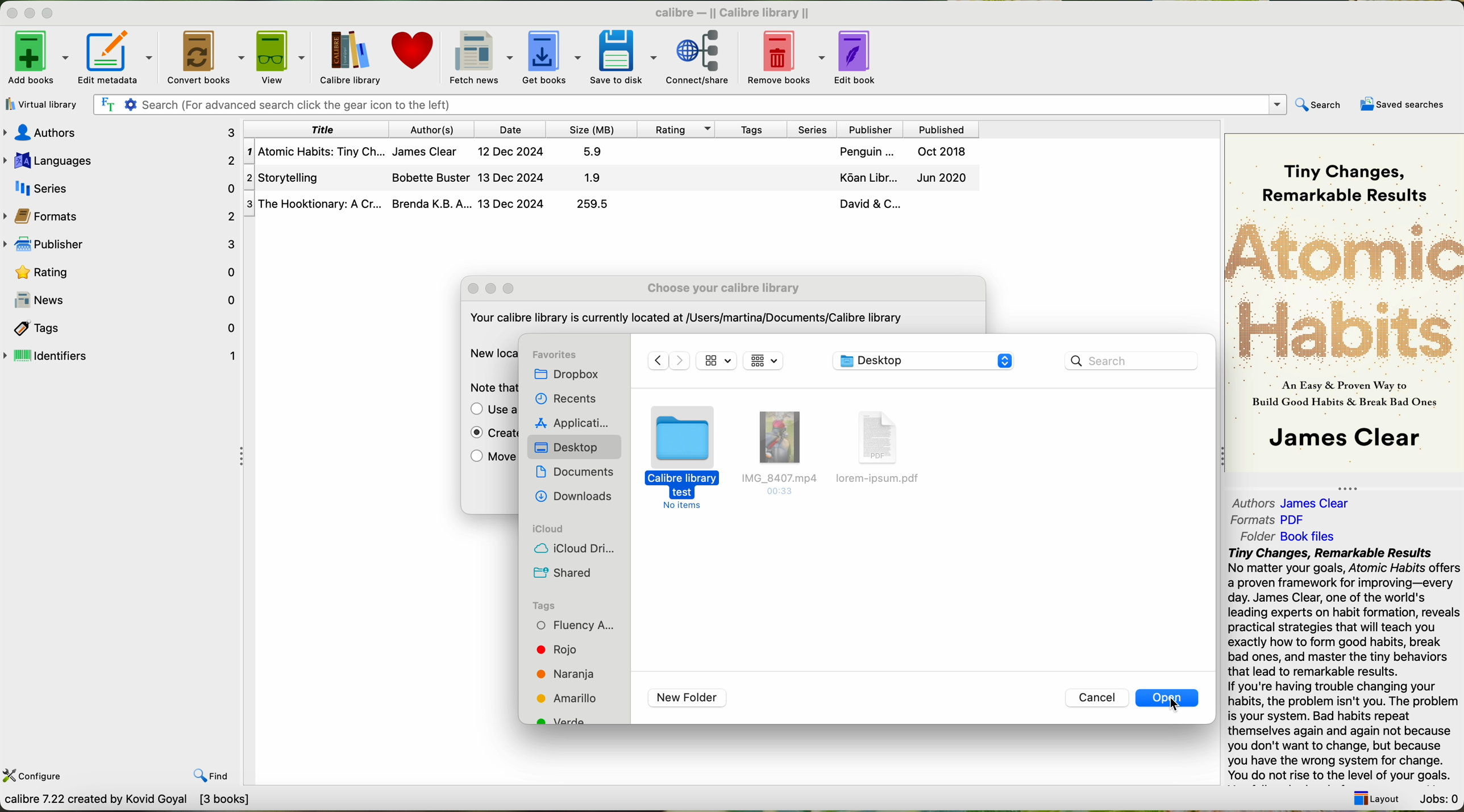  I want to click on ‘Your calibre library Is currently located at /Users/martina/Documents/Calibre library, so click(684, 320).